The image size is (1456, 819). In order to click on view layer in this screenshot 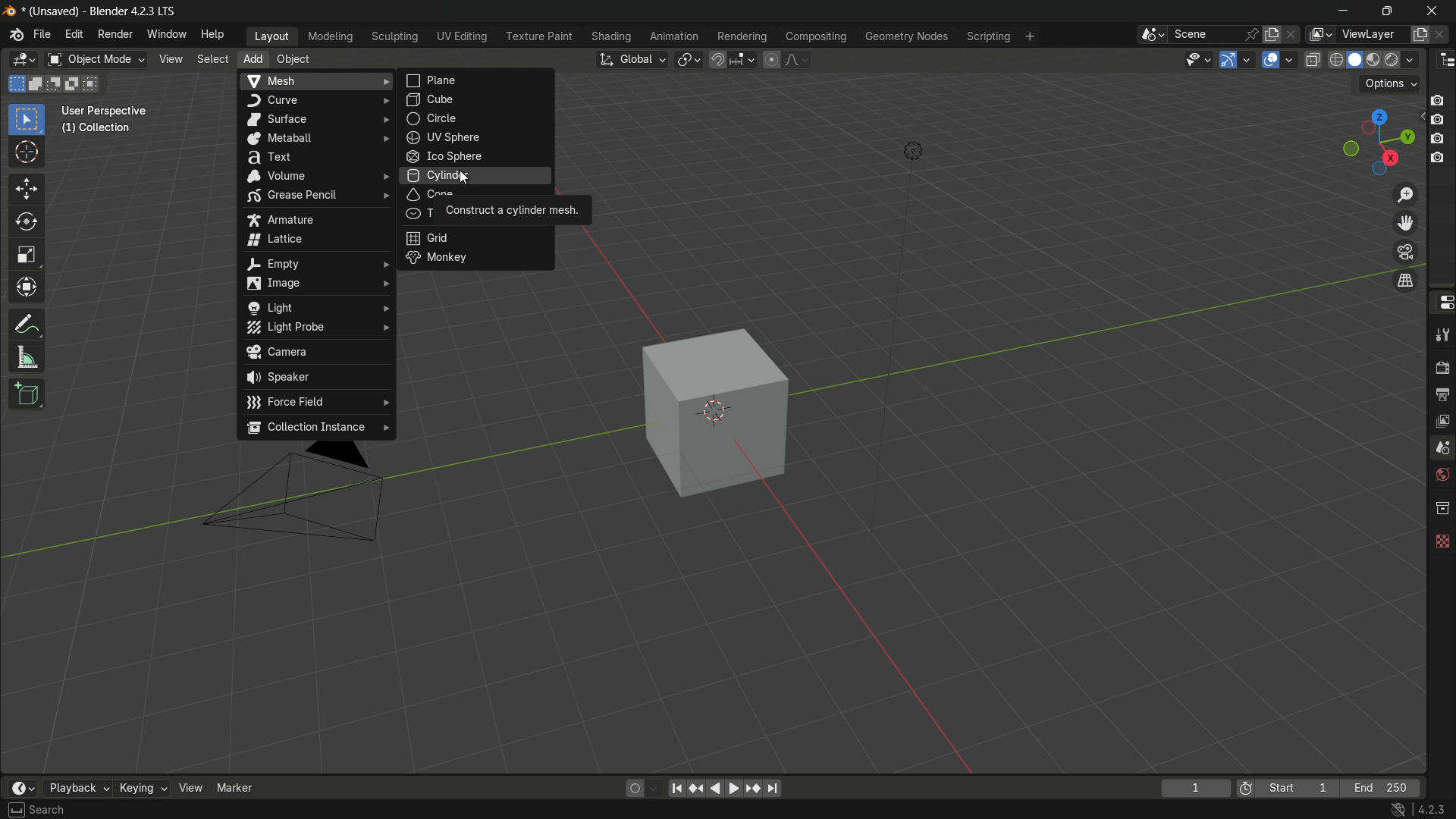, I will do `click(1441, 421)`.